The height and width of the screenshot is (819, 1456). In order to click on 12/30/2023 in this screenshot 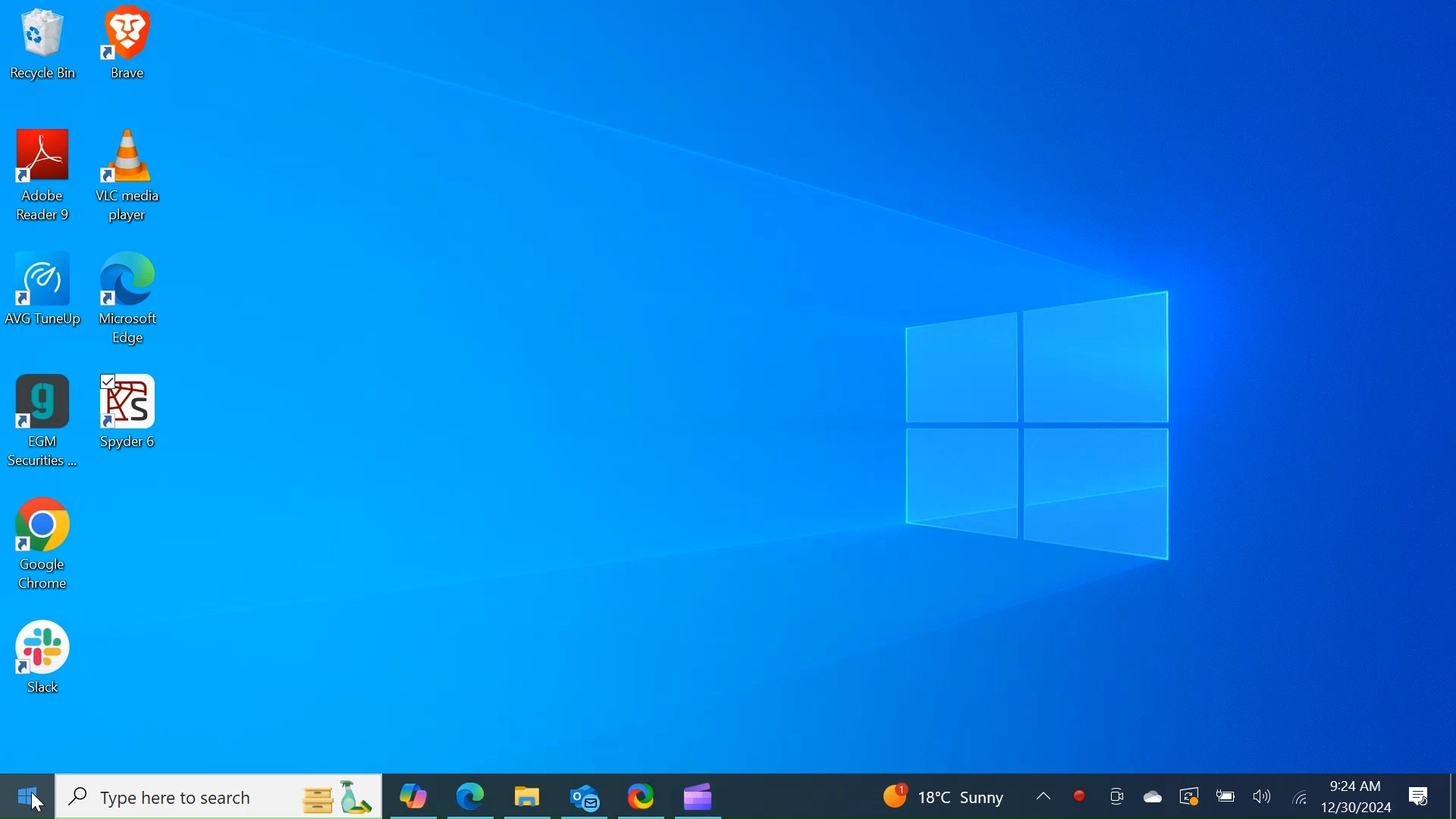, I will do `click(1354, 807)`.